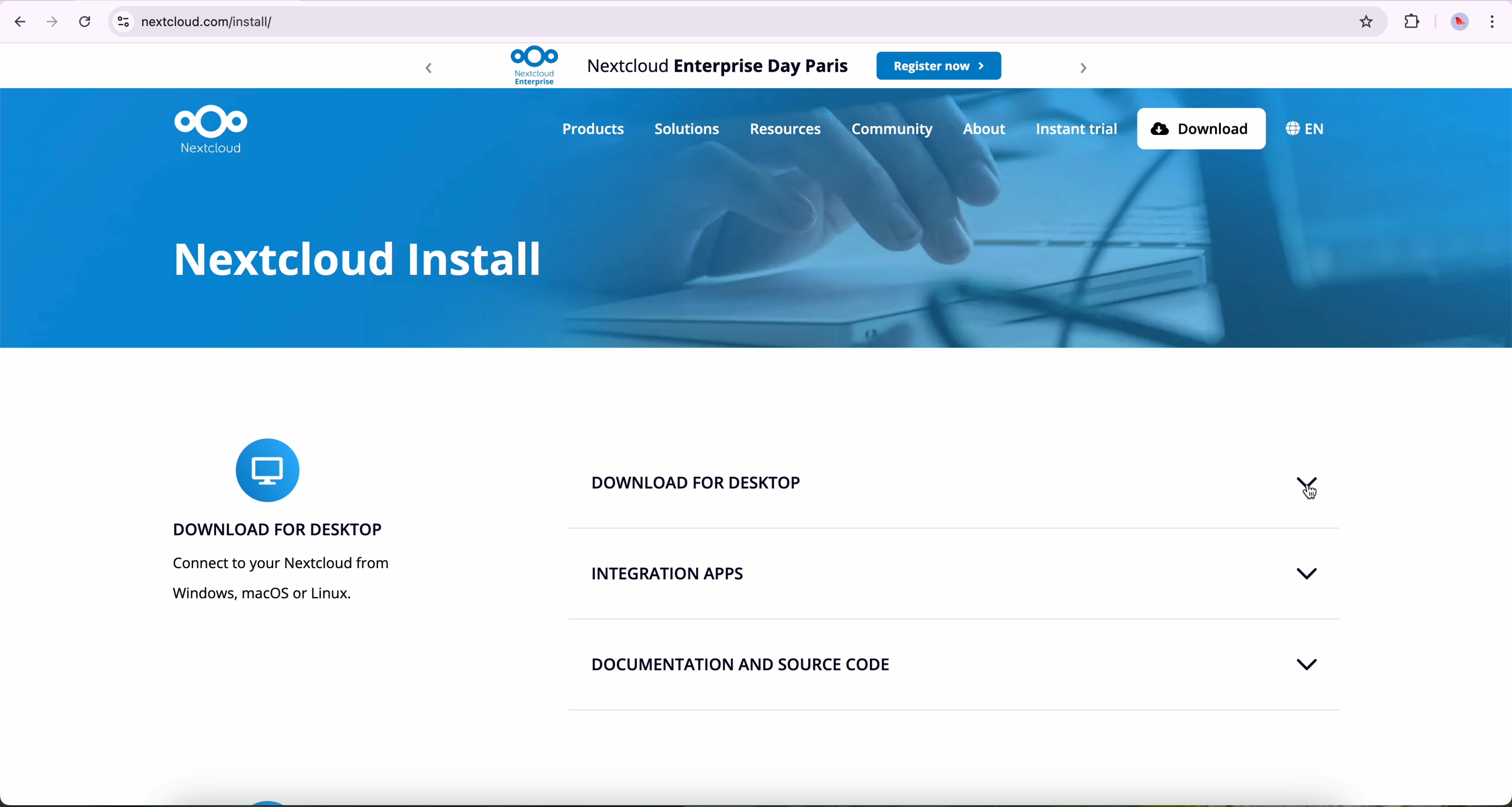 The width and height of the screenshot is (1512, 807). Describe the element at coordinates (686, 128) in the screenshot. I see `solutions` at that location.